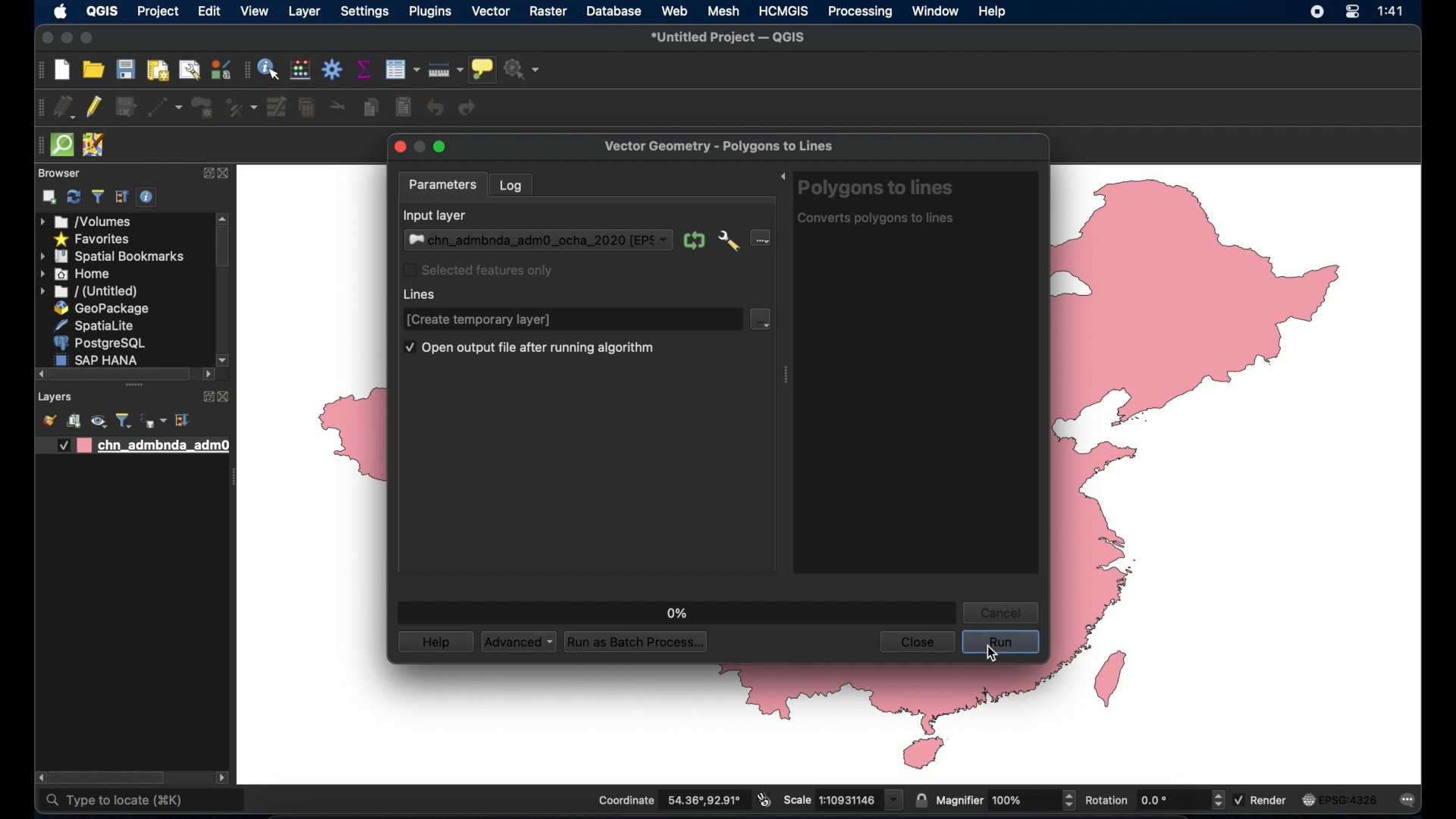 The width and height of the screenshot is (1456, 819). What do you see at coordinates (479, 320) in the screenshot?
I see `[create temporary layer]` at bounding box center [479, 320].